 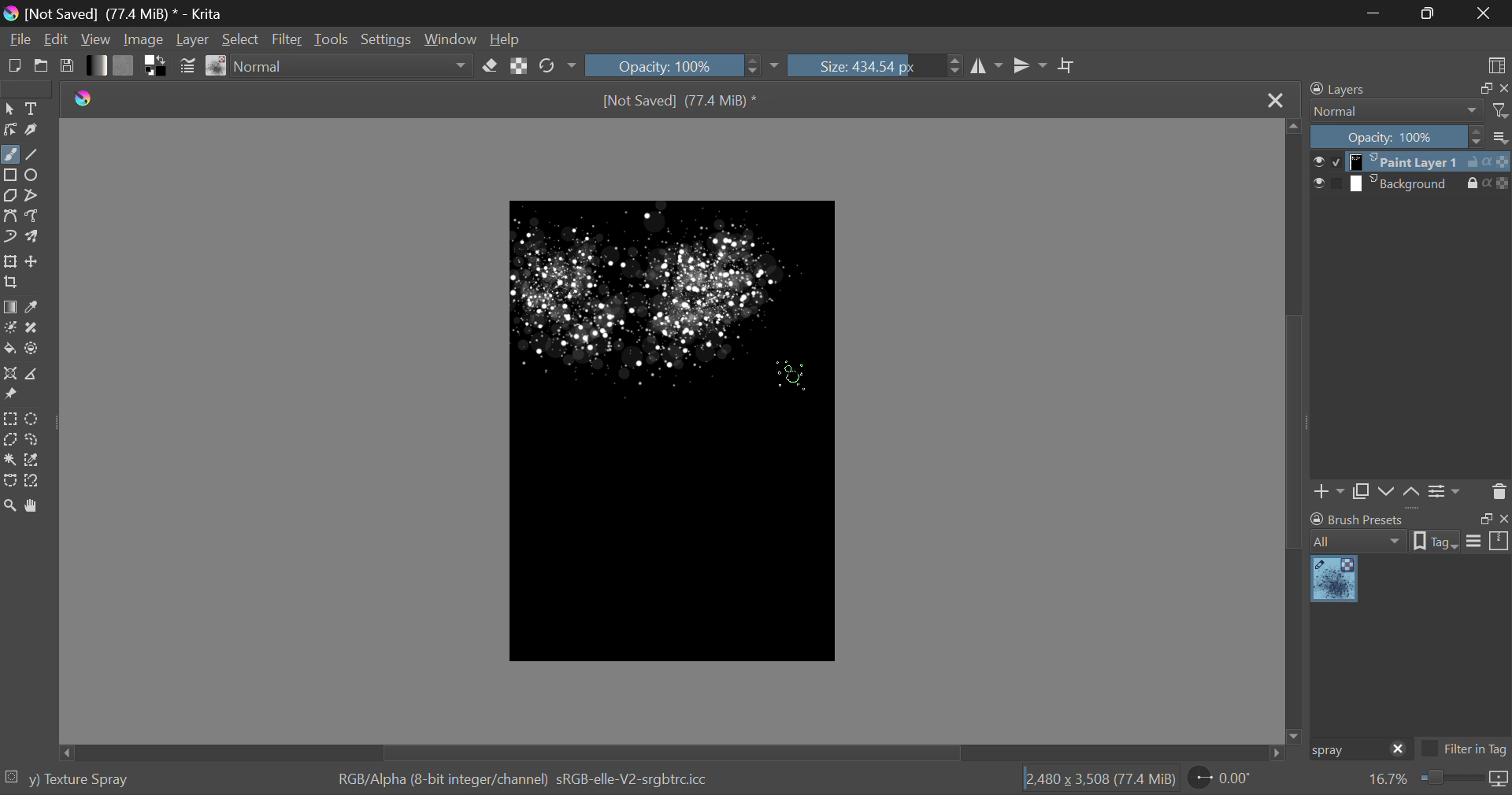 I want to click on Blending Mode, so click(x=354, y=66).